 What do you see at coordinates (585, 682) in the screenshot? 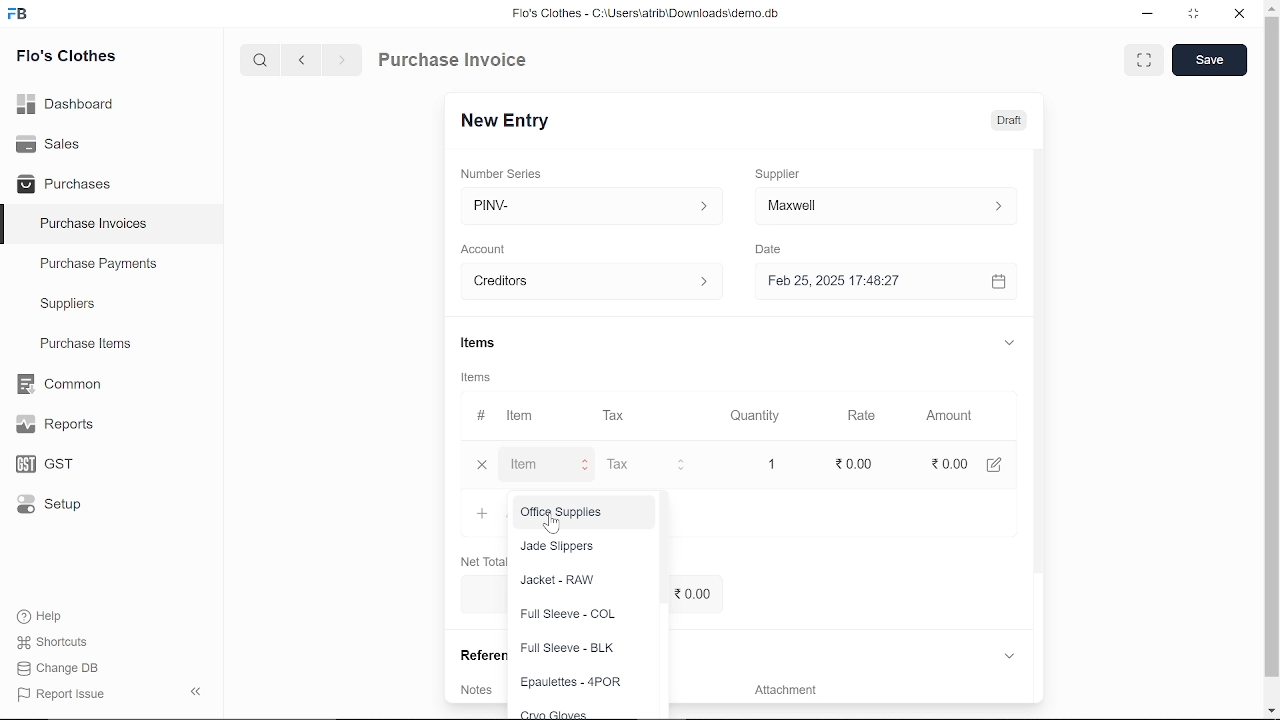
I see `Epaulettes - 4POR` at bounding box center [585, 682].